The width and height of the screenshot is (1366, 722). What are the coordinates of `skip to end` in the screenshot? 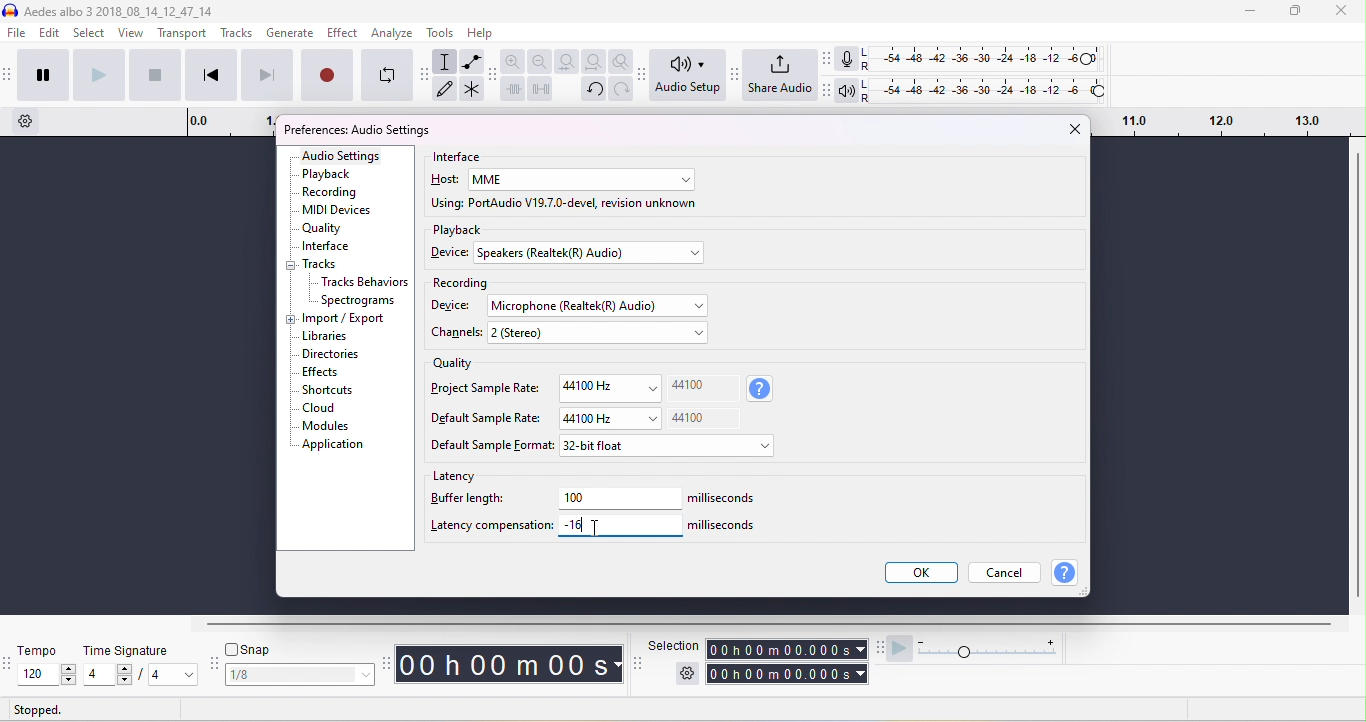 It's located at (266, 74).